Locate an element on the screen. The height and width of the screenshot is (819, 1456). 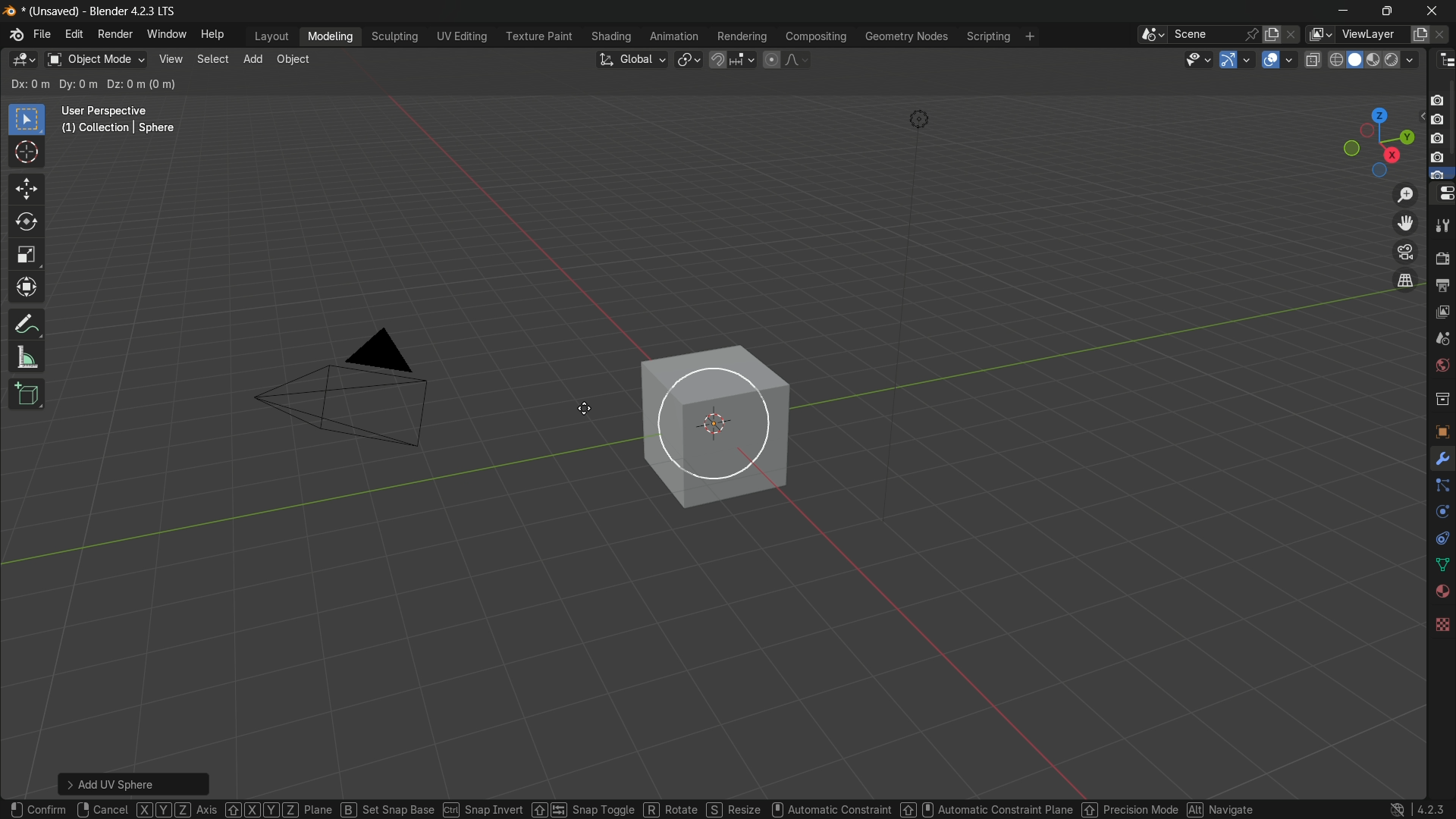
shading menu is located at coordinates (611, 36).